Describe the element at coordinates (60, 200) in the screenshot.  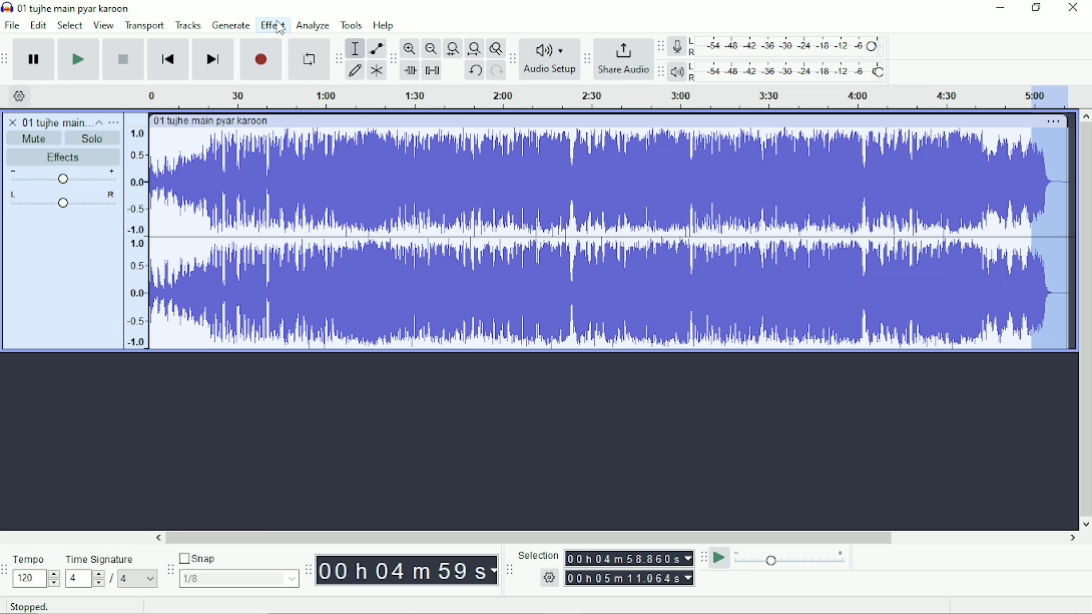
I see `Pan` at that location.